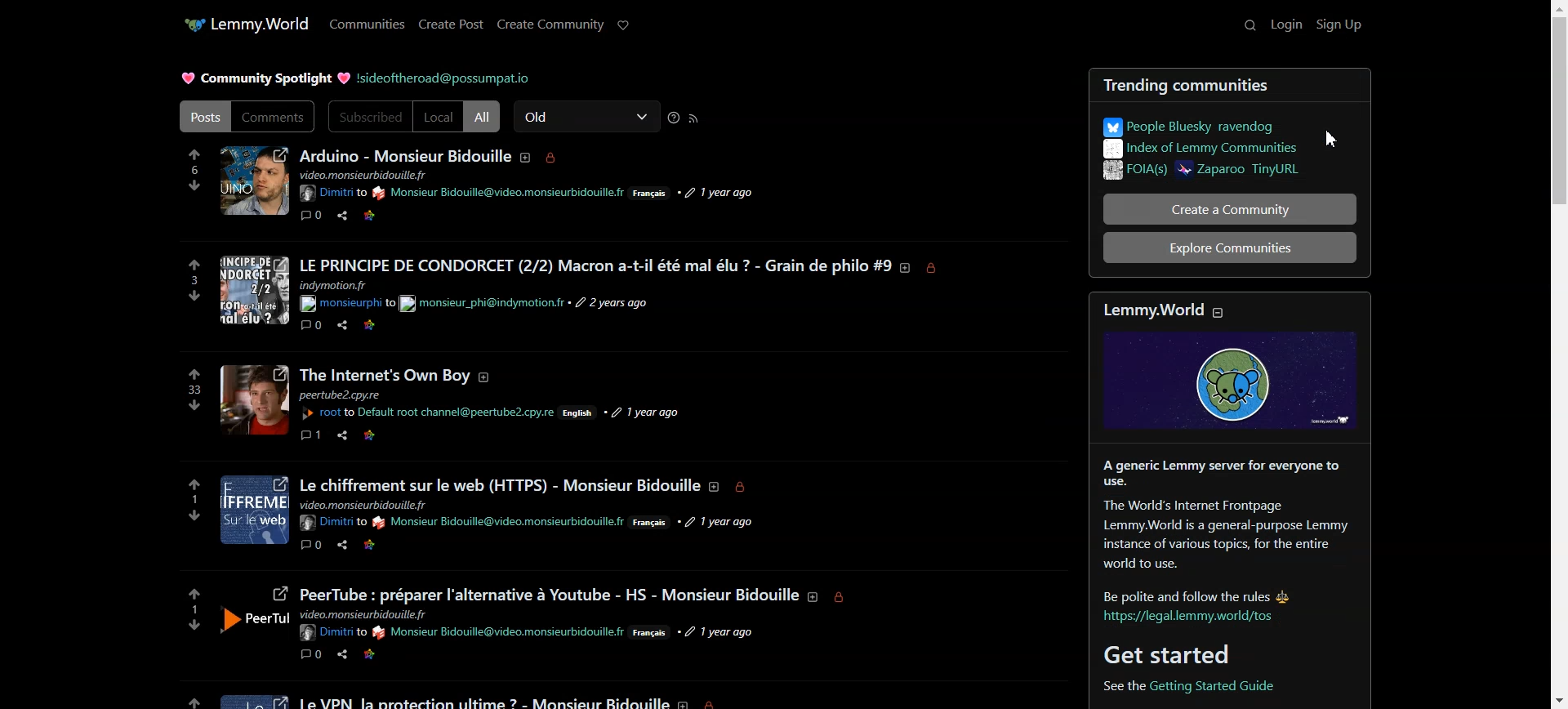  Describe the element at coordinates (491, 377) in the screenshot. I see `about` at that location.